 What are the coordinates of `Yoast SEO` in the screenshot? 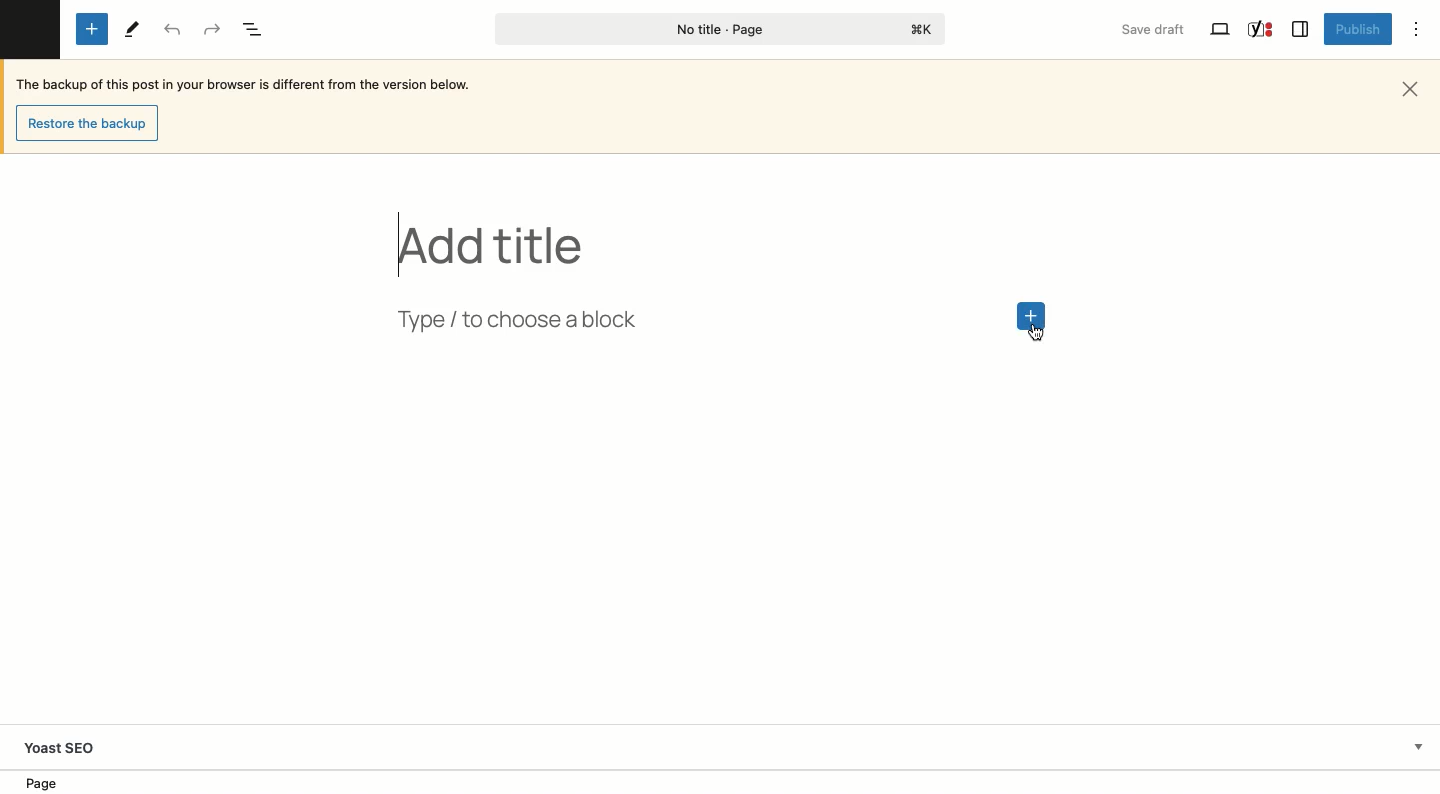 It's located at (1261, 30).